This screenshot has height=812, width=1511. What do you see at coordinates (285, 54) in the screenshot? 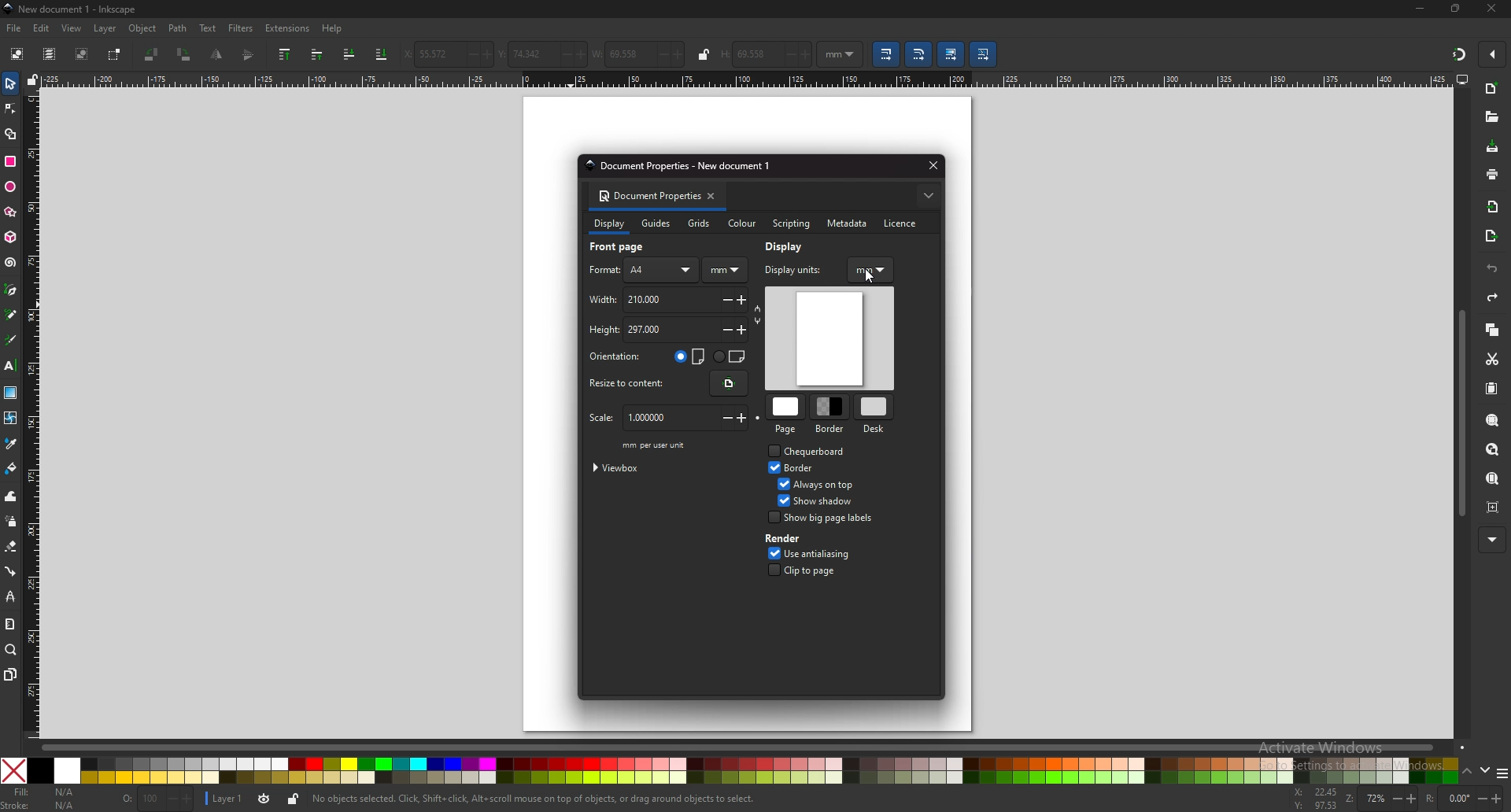
I see `raise selection to top` at bounding box center [285, 54].